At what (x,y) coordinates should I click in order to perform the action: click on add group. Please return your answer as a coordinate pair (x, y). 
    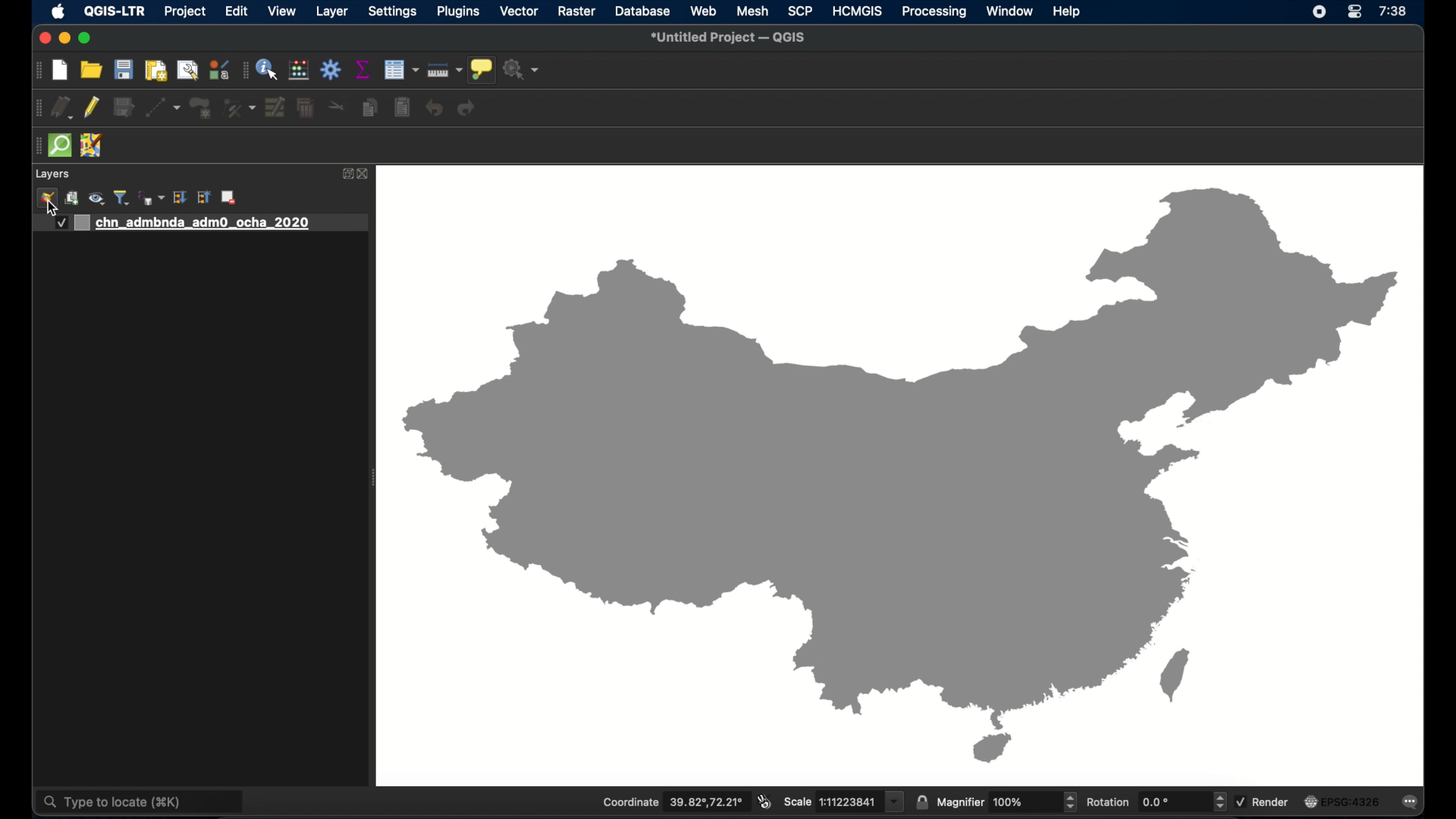
    Looking at the image, I should click on (72, 199).